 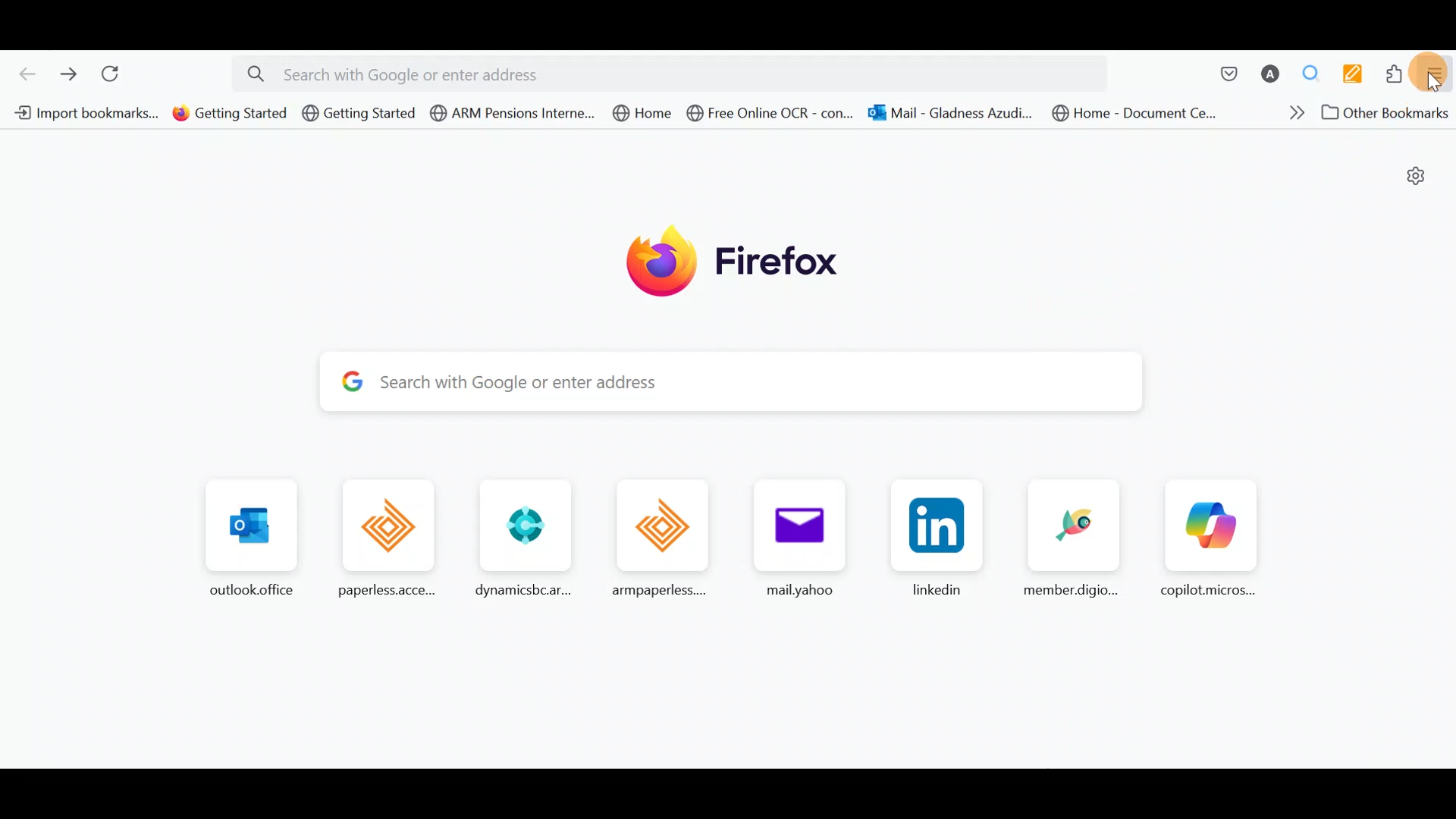 I want to click on @ Getting Started, so click(x=231, y=113).